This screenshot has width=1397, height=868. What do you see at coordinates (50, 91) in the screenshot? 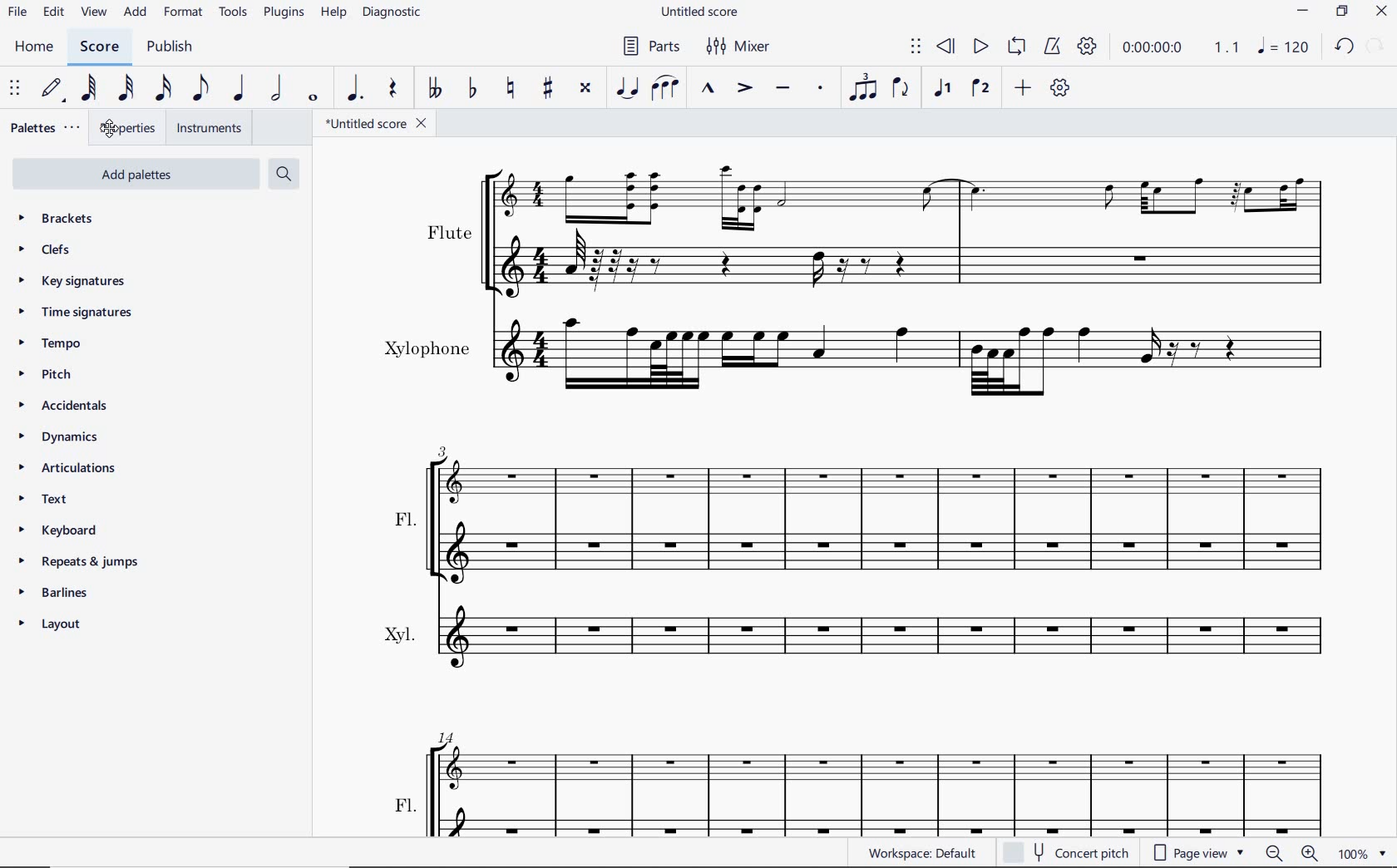
I see `DEFAULT (STEP TIME)` at bounding box center [50, 91].